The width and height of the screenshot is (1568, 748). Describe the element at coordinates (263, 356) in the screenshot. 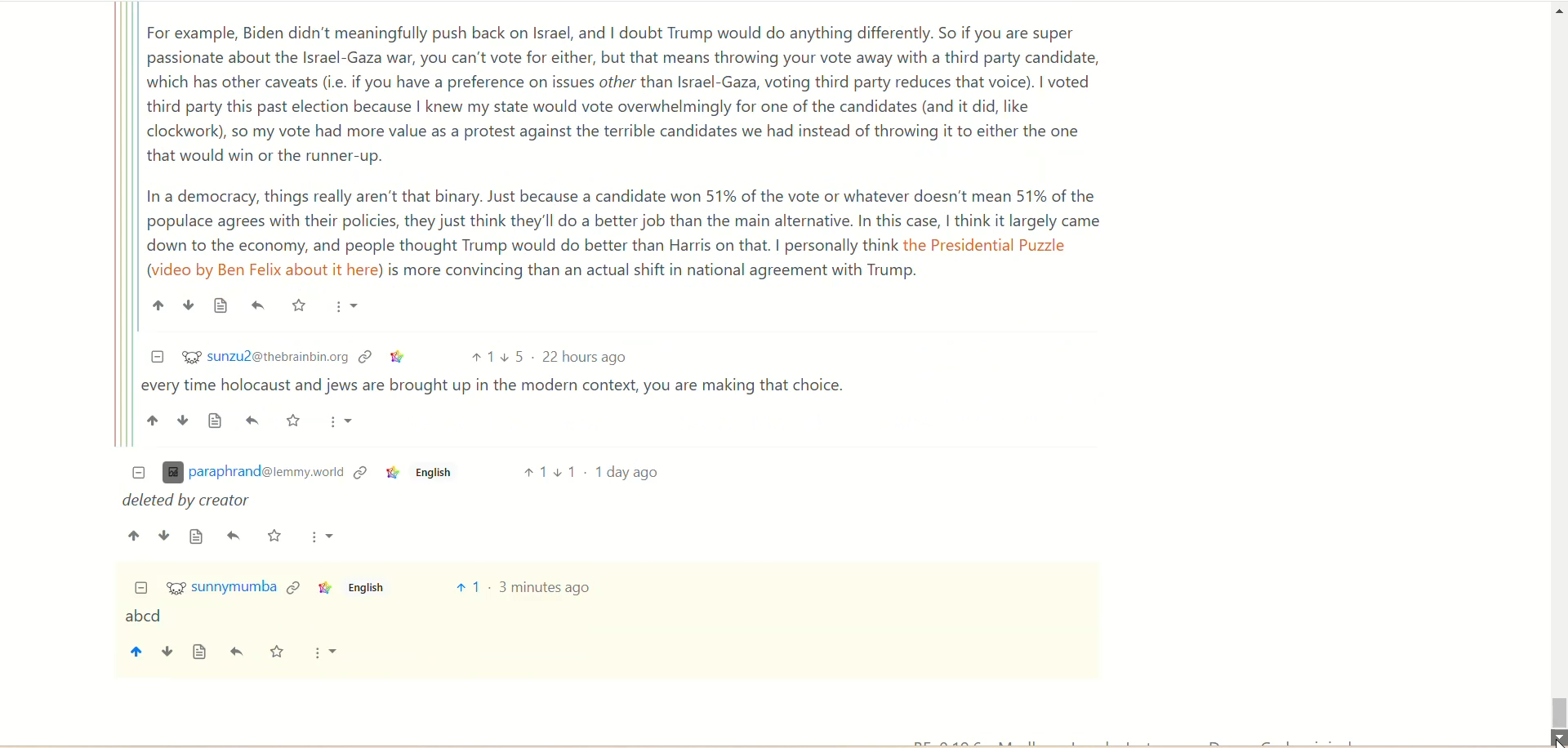

I see `$2 sunzu2@thebrainbin.org` at that location.